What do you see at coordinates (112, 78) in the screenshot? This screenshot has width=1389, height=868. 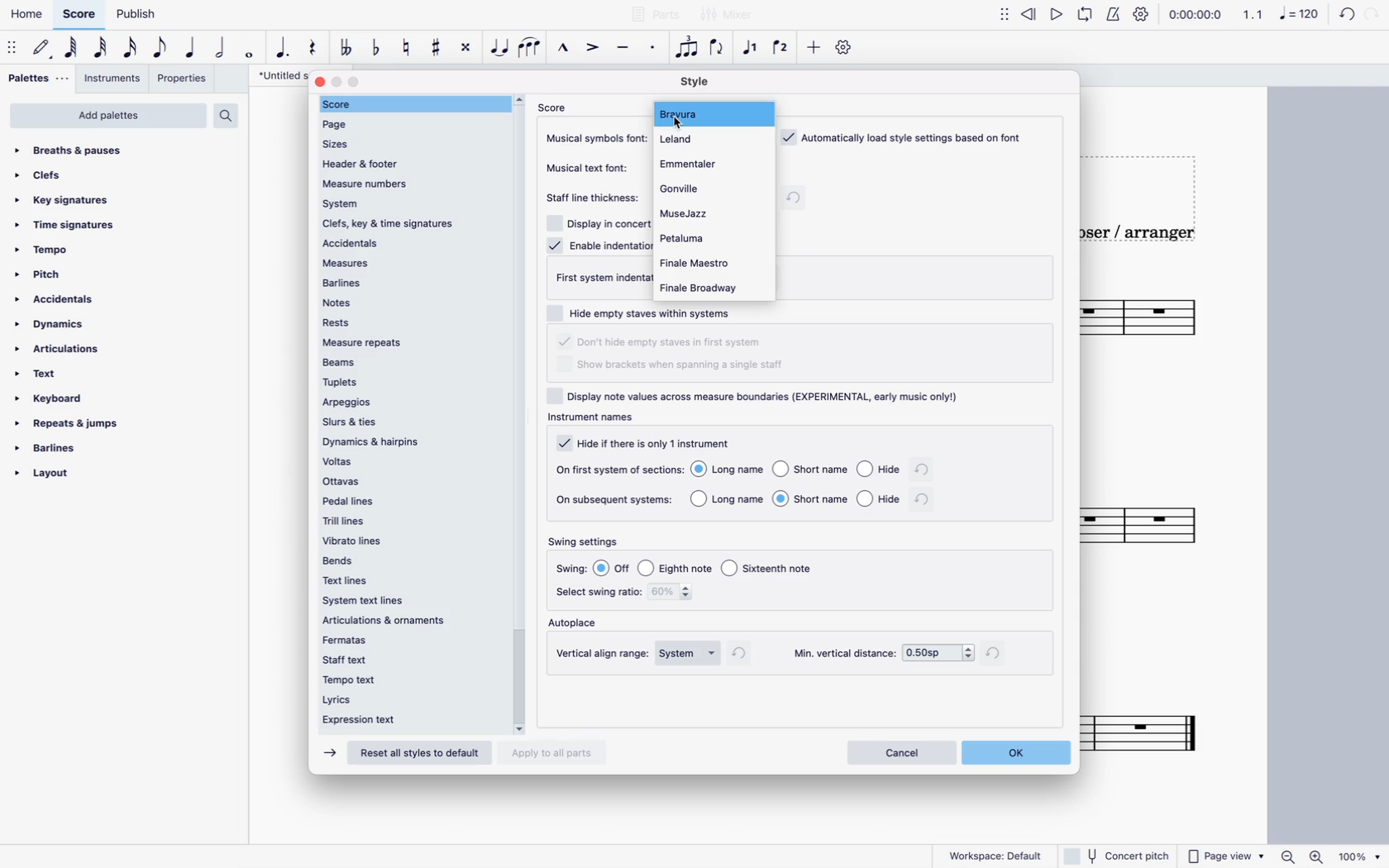 I see `instruments` at bounding box center [112, 78].